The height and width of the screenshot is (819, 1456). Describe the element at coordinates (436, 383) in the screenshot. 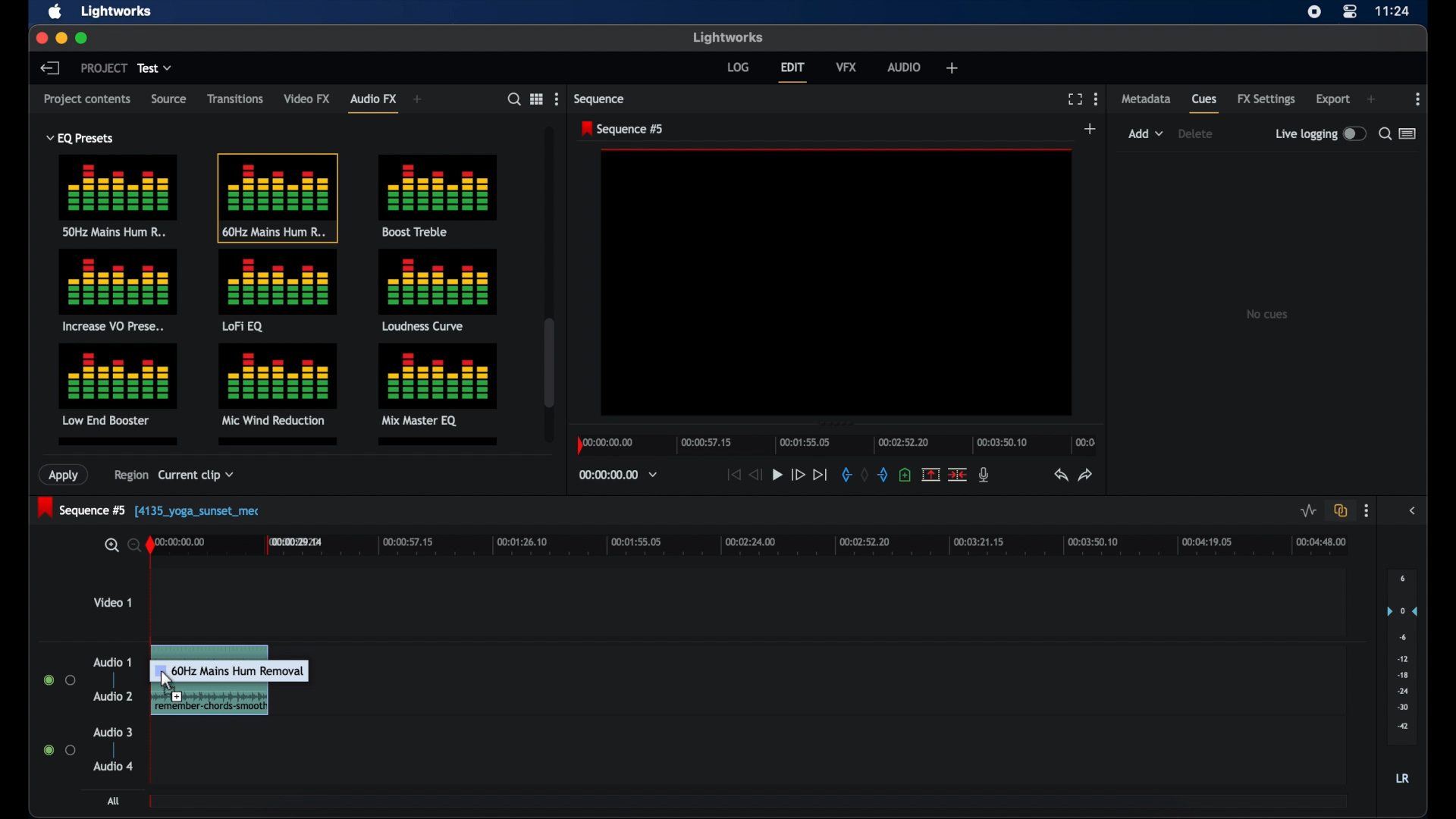

I see `mix master eq` at that location.